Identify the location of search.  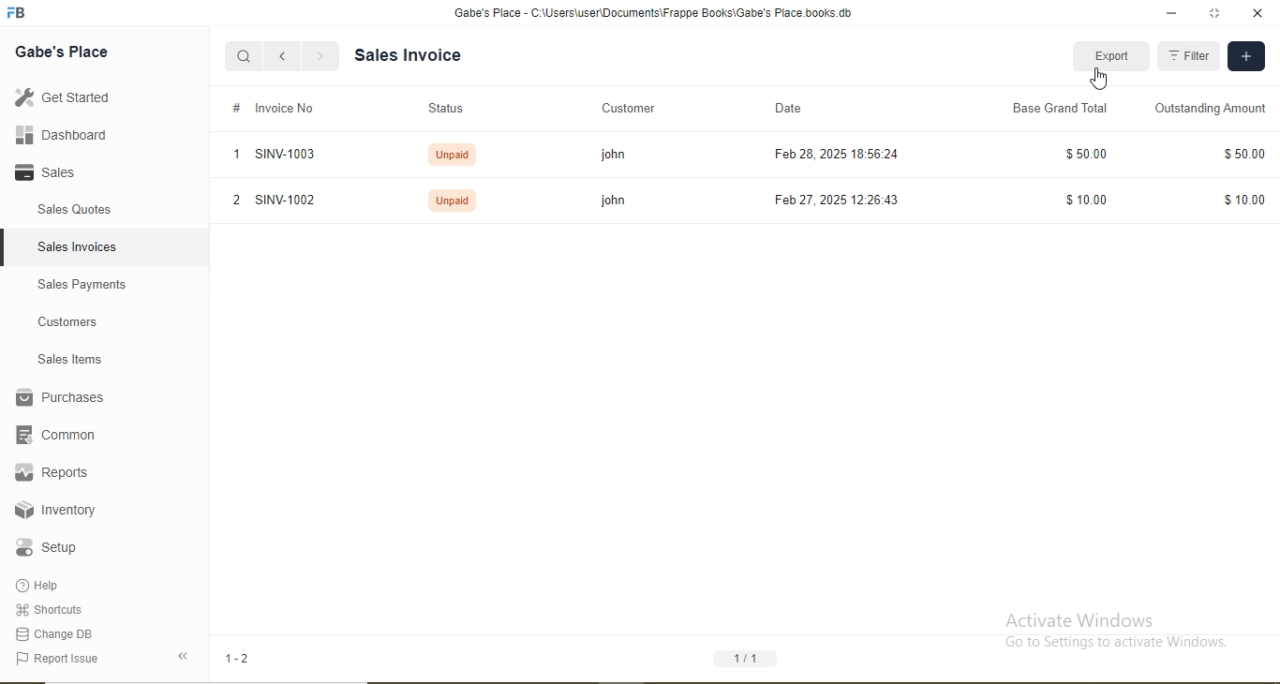
(246, 58).